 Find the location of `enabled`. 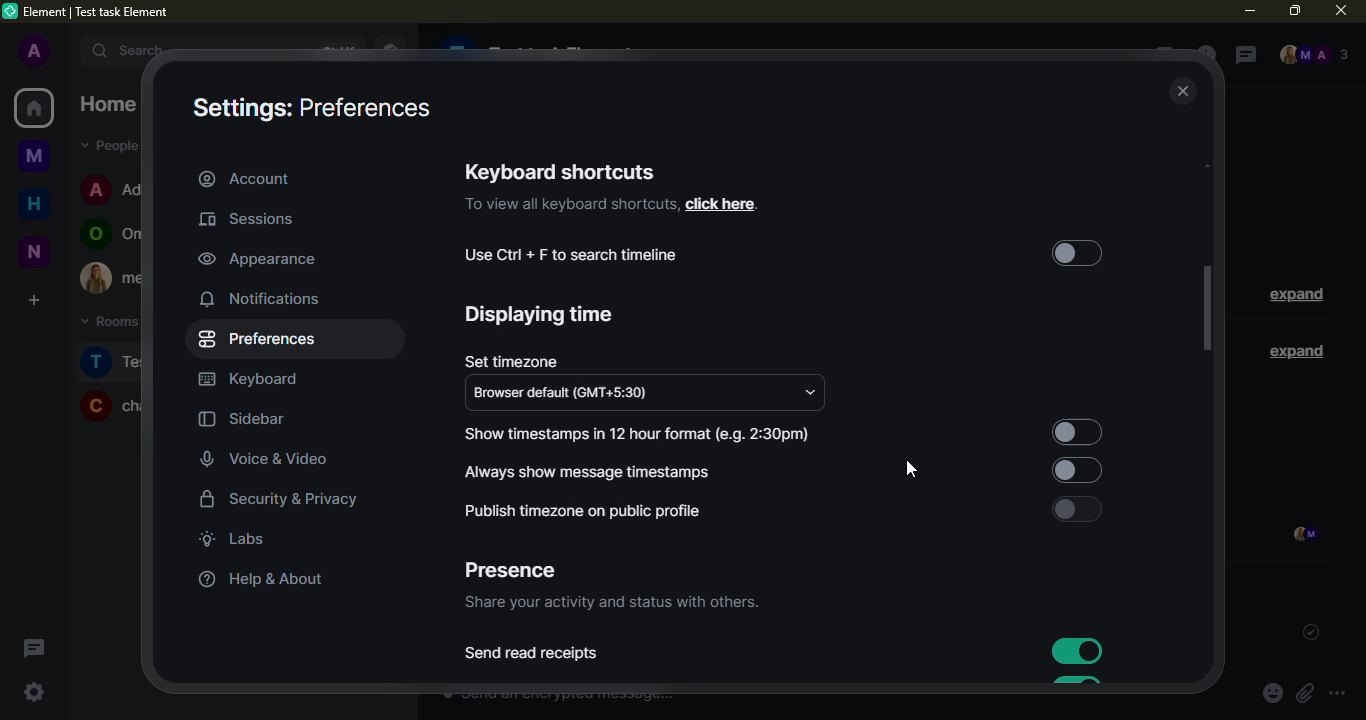

enabled is located at coordinates (1071, 648).